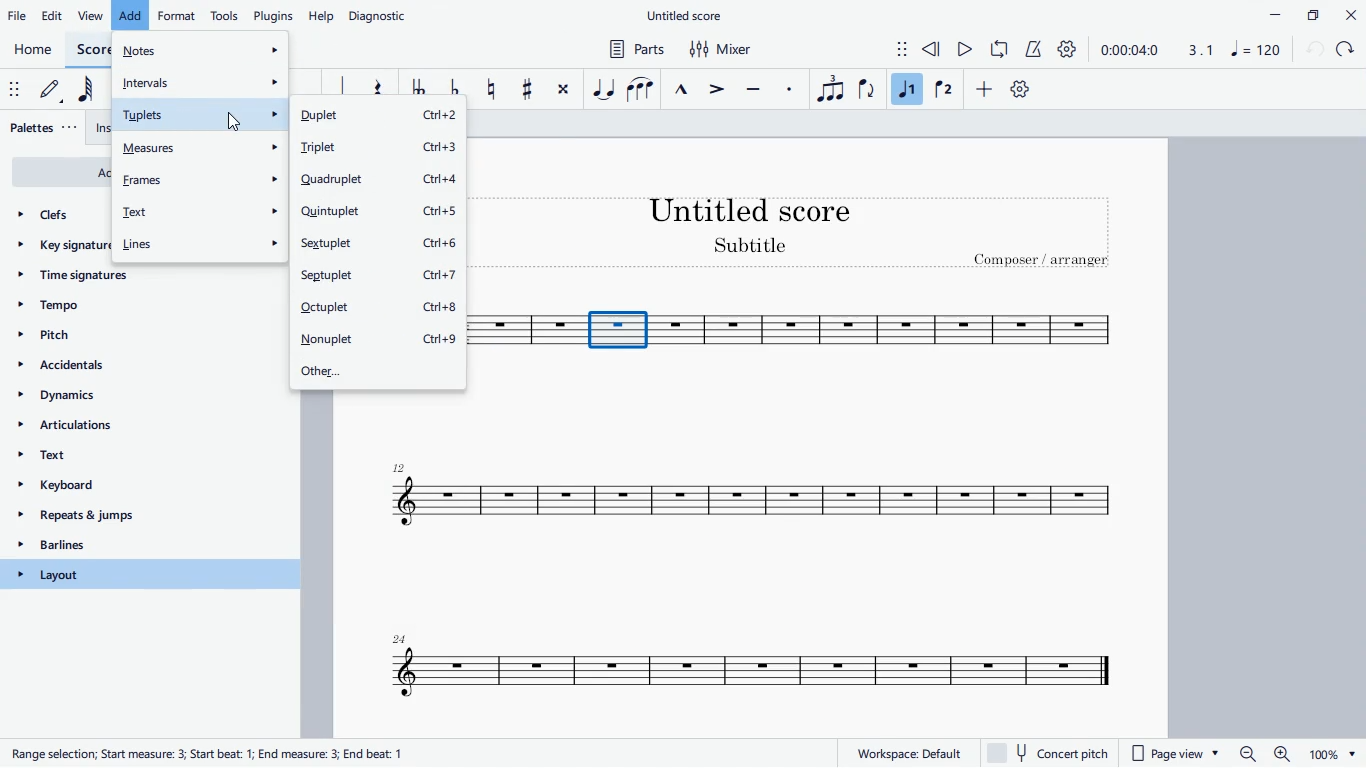  What do you see at coordinates (18, 16) in the screenshot?
I see `file` at bounding box center [18, 16].